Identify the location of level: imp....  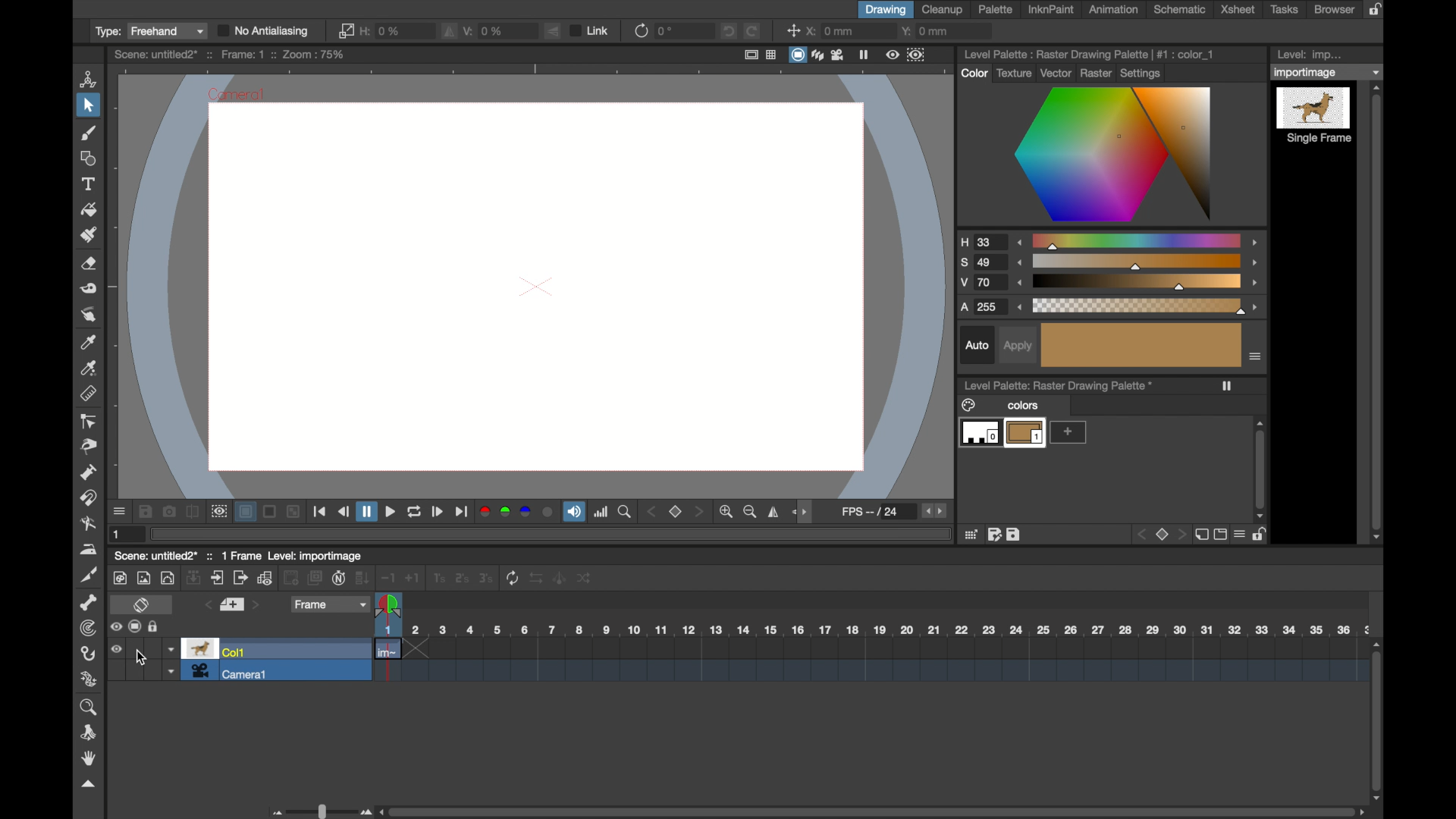
(1310, 55).